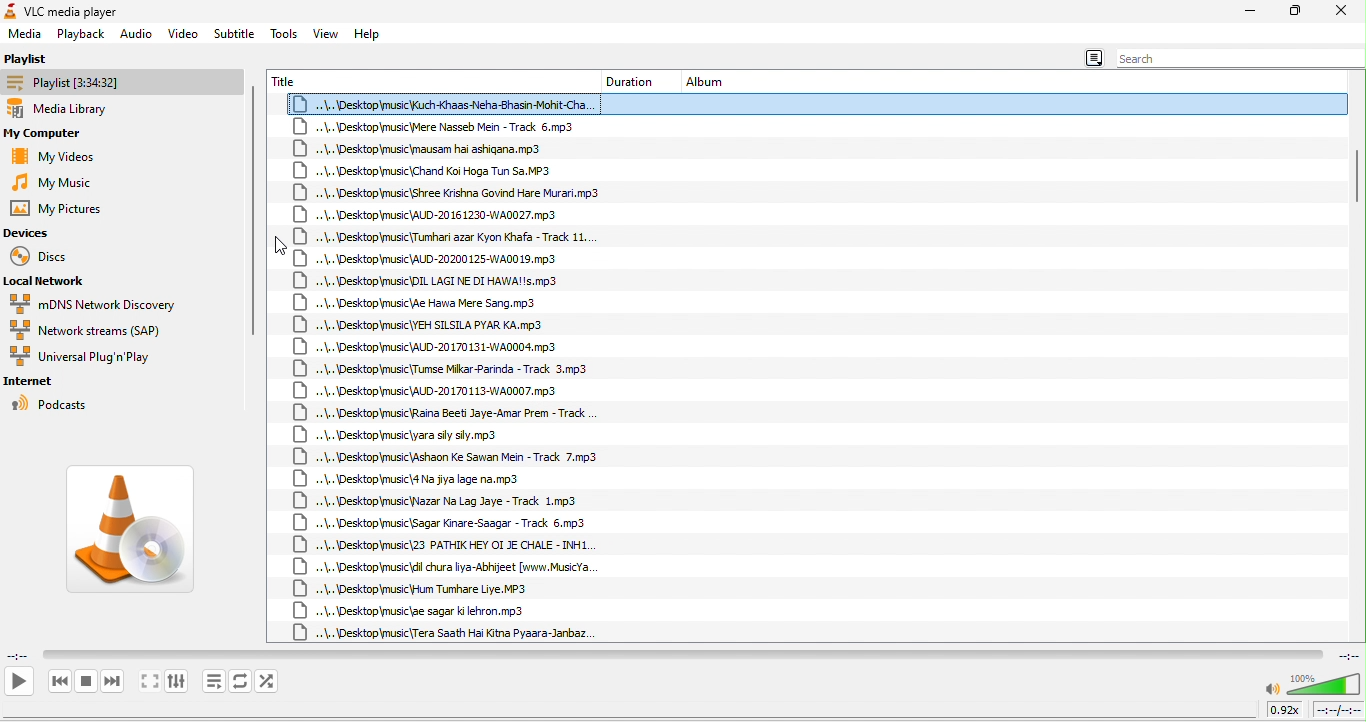 Image resolution: width=1366 pixels, height=722 pixels. Describe the element at coordinates (105, 331) in the screenshot. I see `network streams (SAP)` at that location.